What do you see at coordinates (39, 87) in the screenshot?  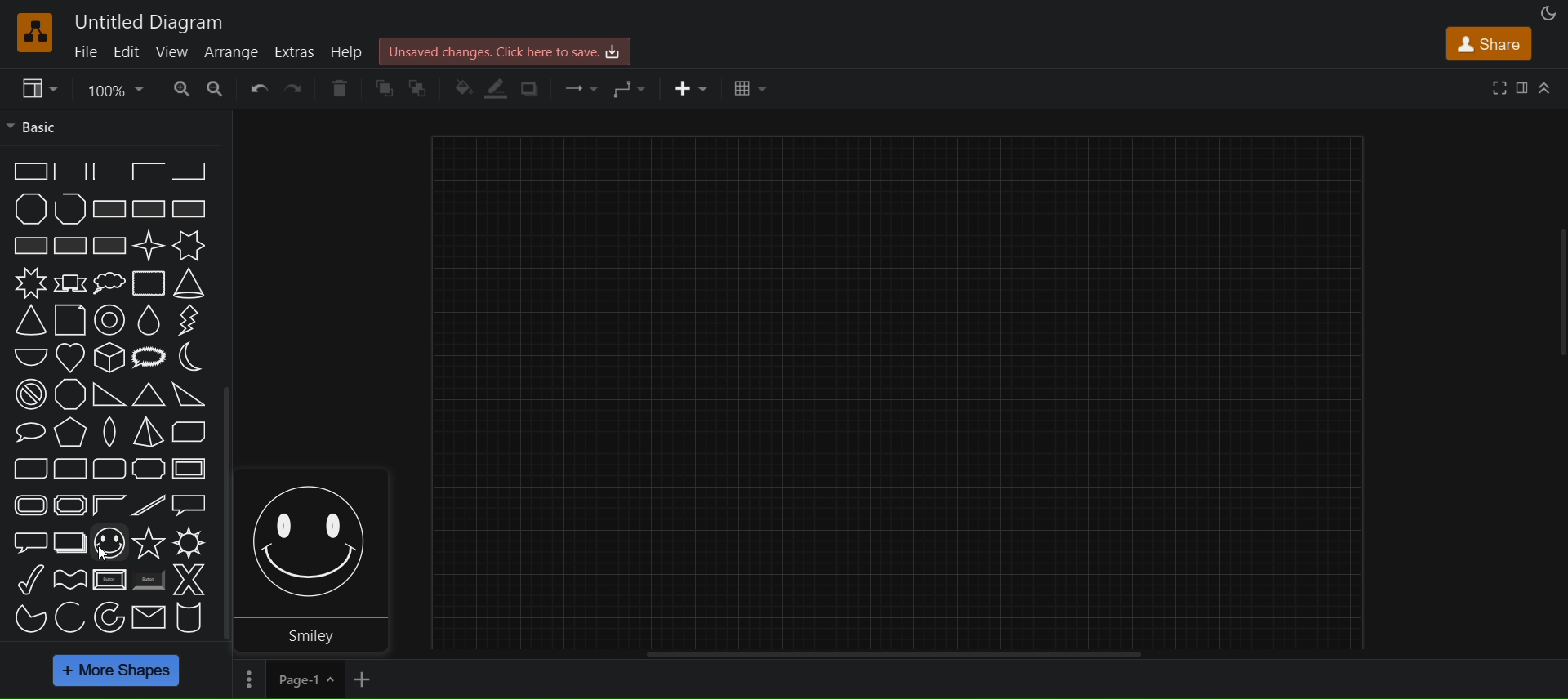 I see `view` at bounding box center [39, 87].